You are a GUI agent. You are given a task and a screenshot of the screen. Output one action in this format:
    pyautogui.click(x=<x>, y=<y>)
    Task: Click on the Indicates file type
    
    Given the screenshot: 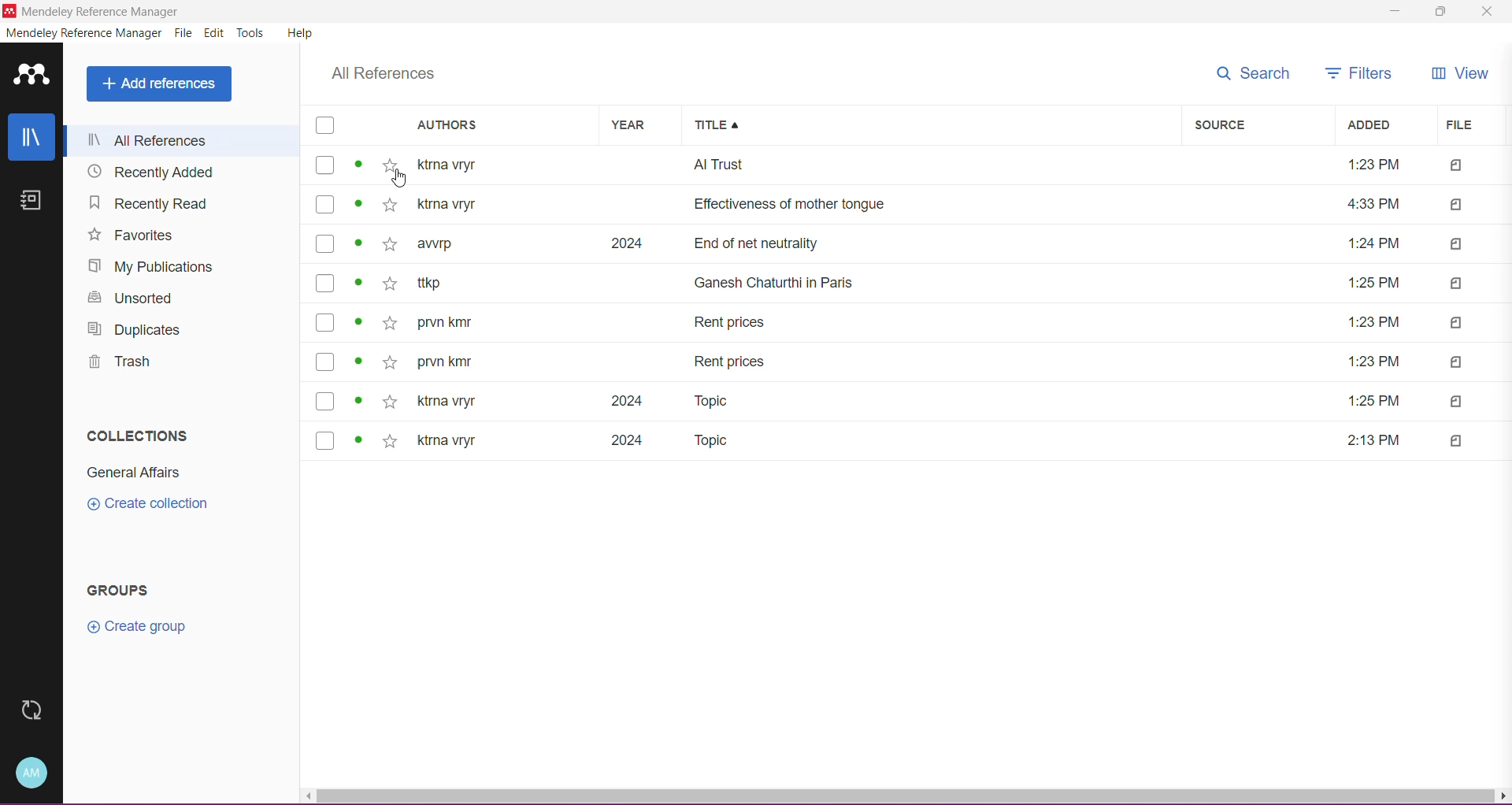 What is the action you would take?
    pyautogui.click(x=1457, y=244)
    